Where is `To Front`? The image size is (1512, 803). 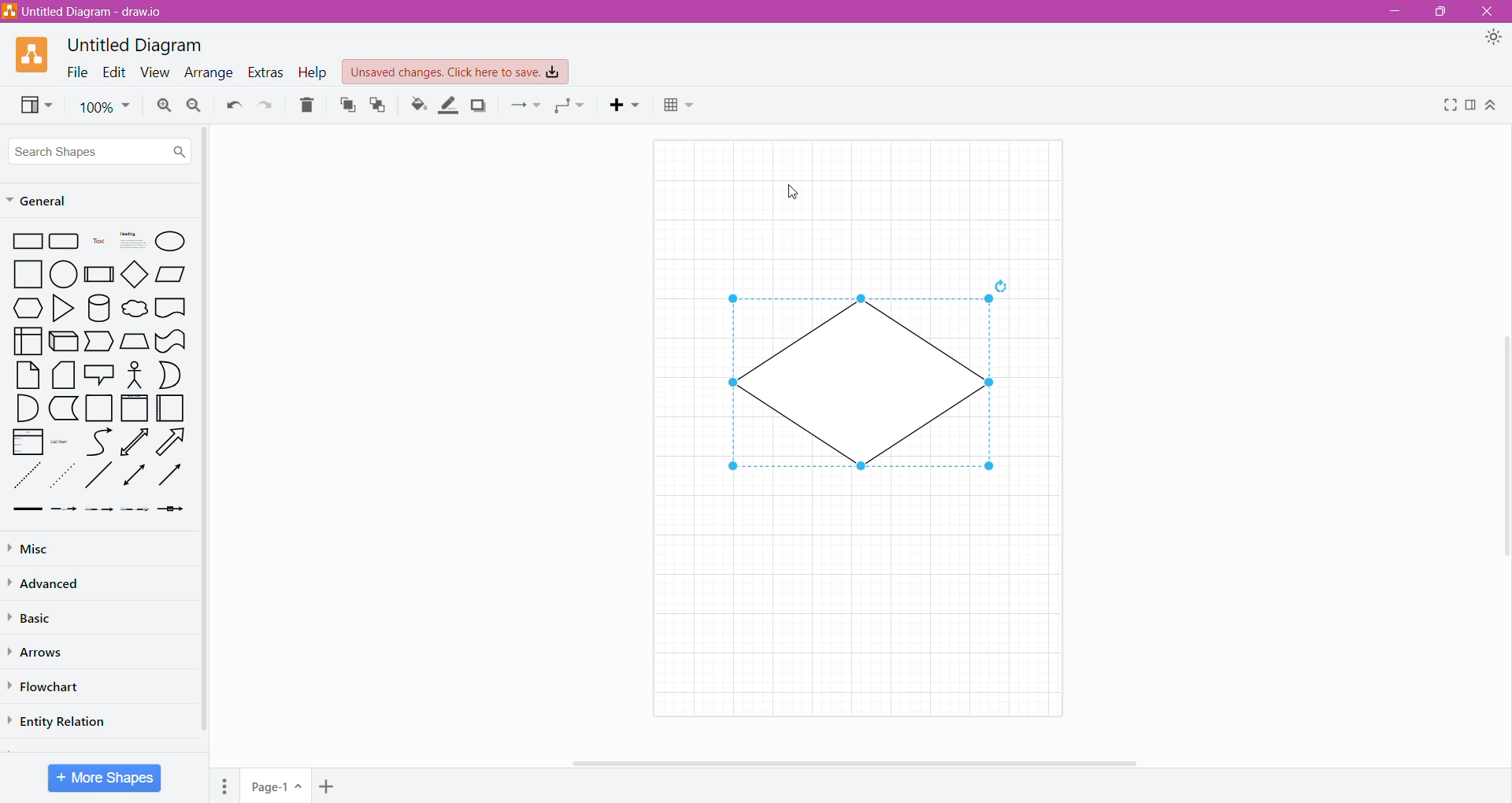
To Front is located at coordinates (346, 105).